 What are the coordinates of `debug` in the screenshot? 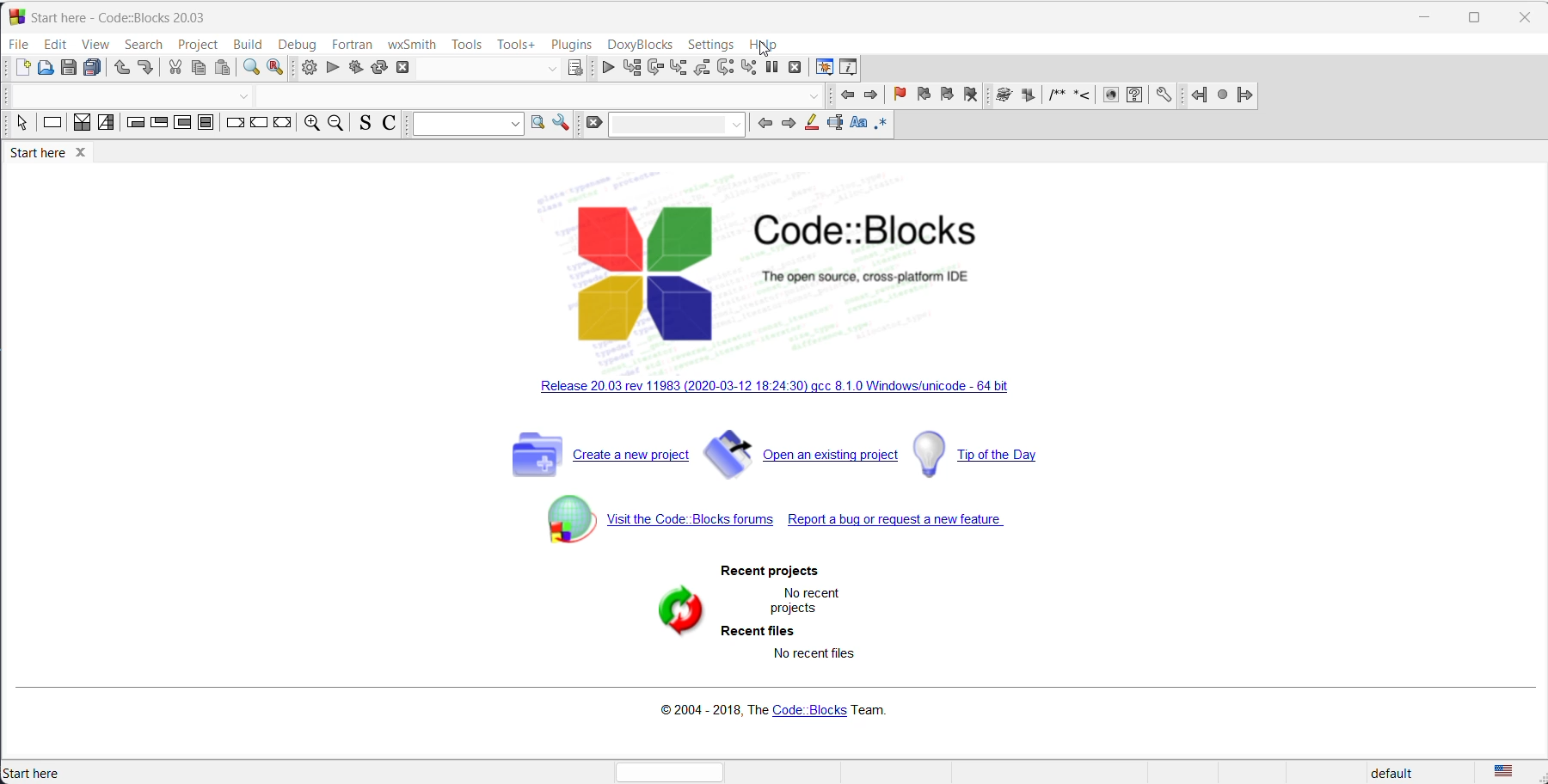 It's located at (298, 44).